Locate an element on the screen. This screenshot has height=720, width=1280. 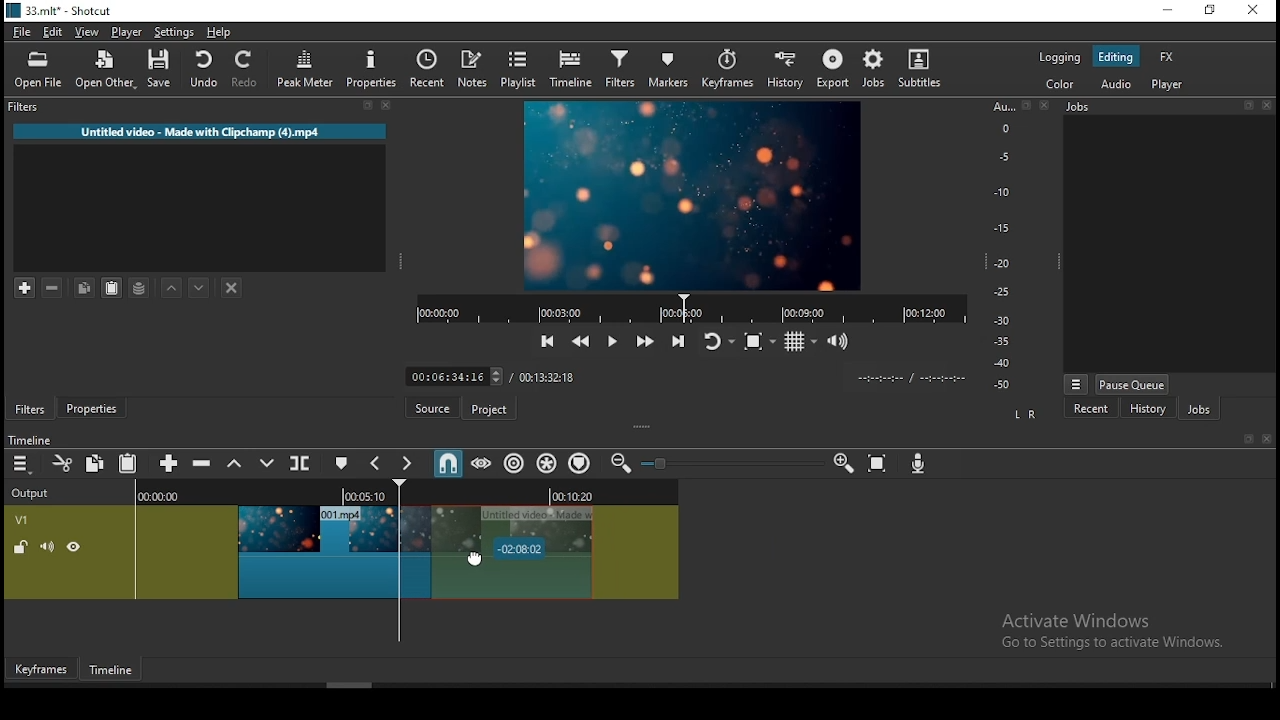
 is located at coordinates (662, 464).